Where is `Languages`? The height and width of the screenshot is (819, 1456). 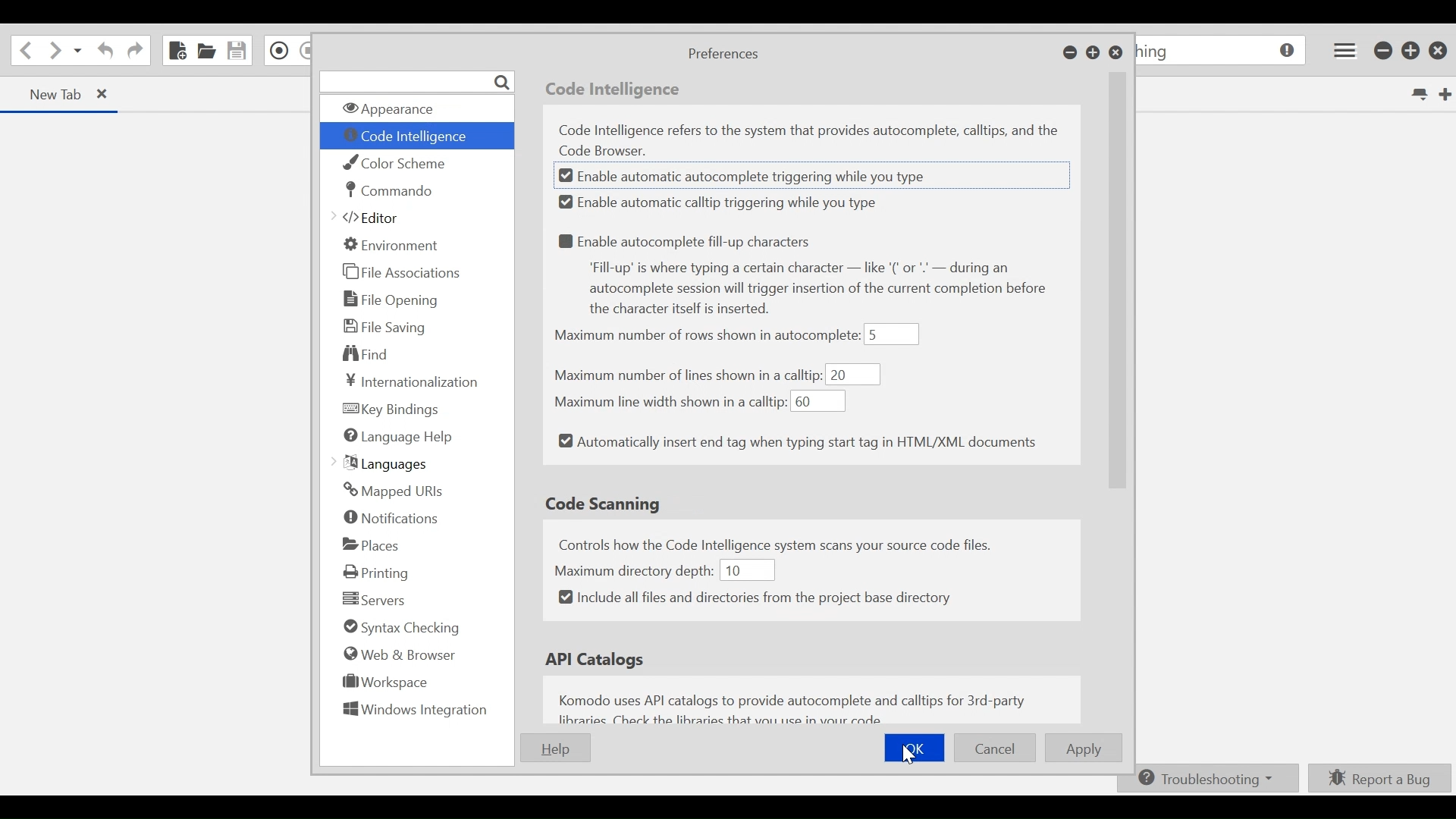
Languages is located at coordinates (384, 463).